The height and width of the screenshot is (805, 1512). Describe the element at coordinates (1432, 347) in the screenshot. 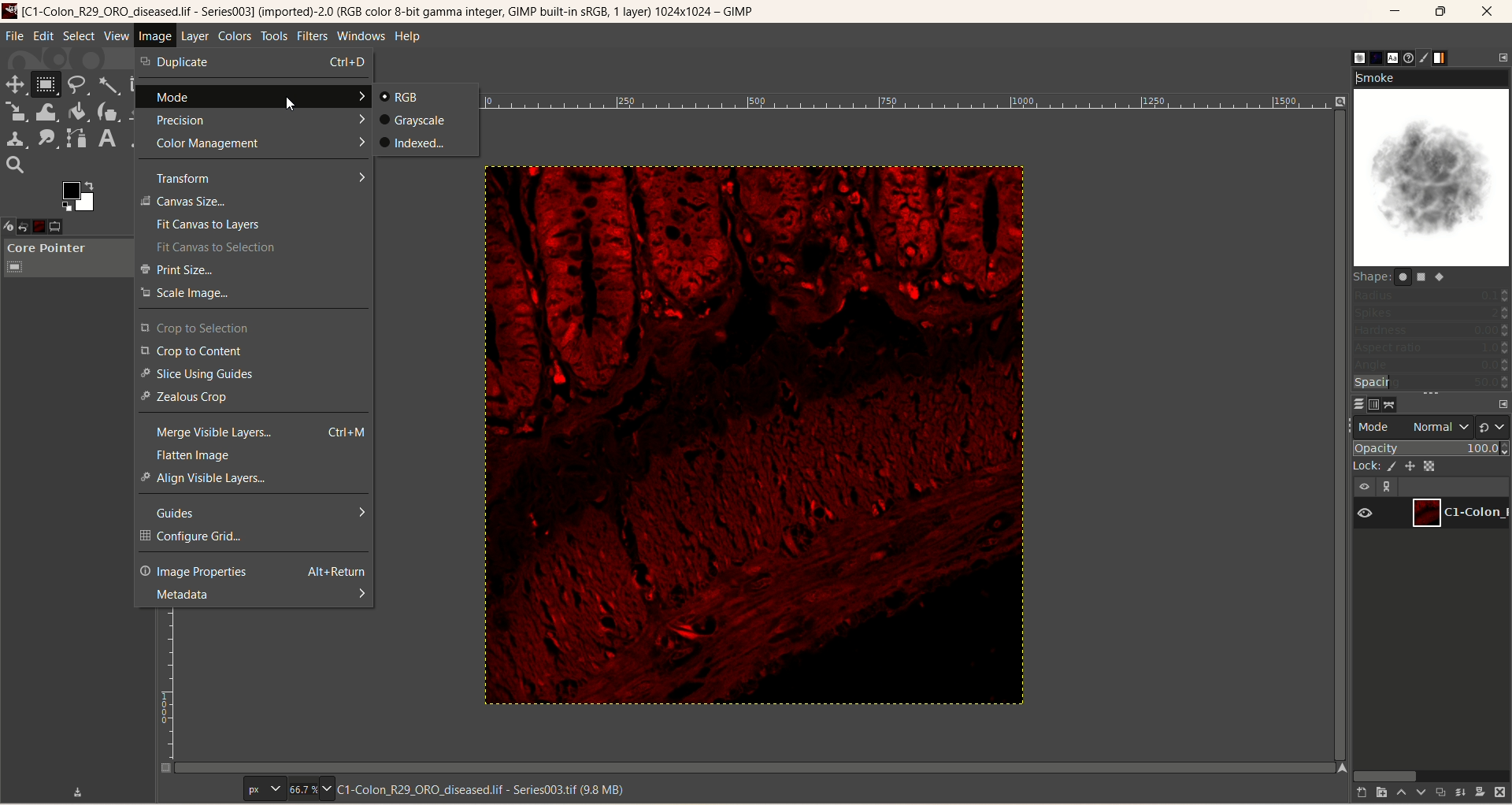

I see `aspect ratio` at that location.